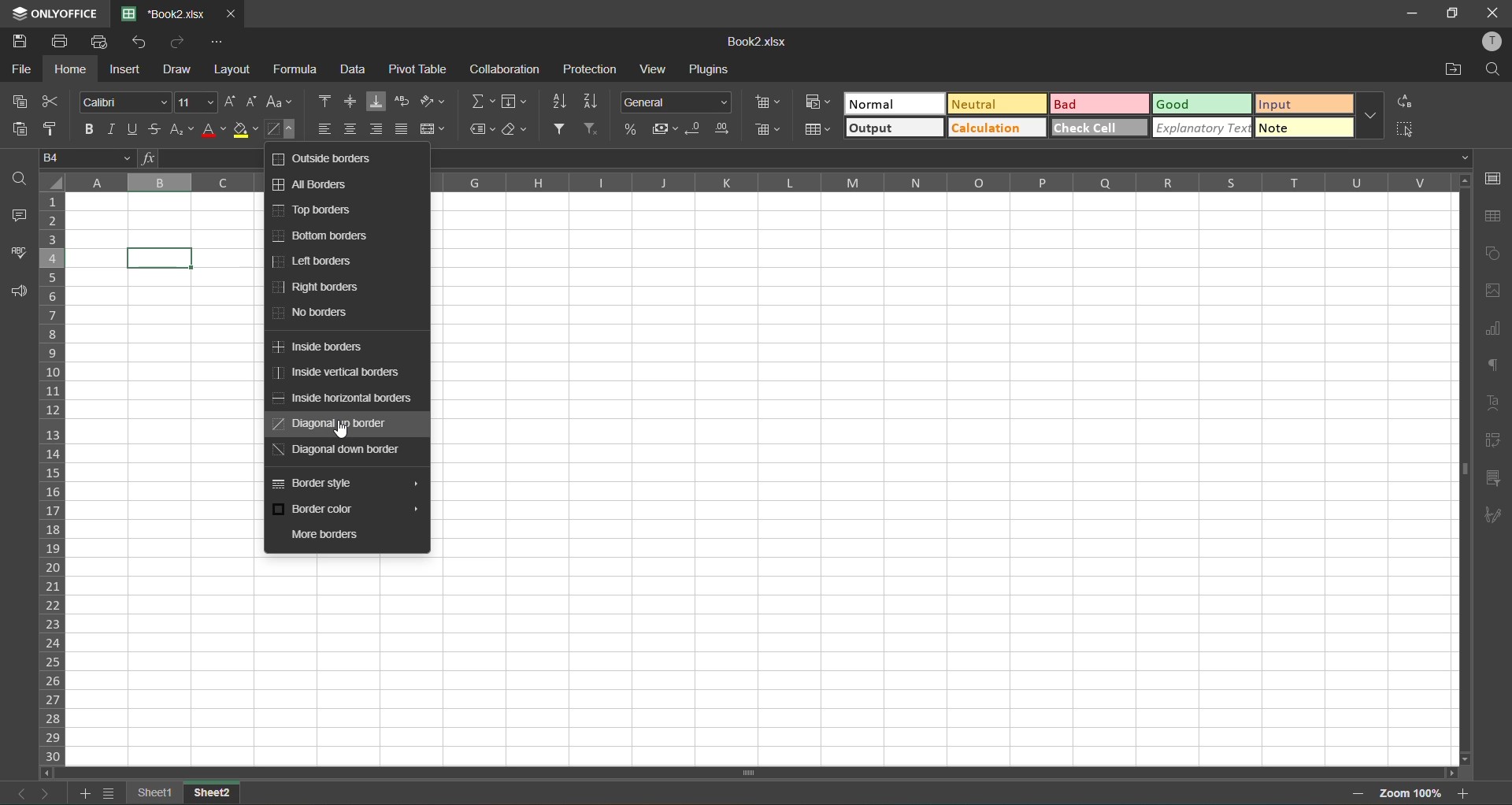 The width and height of the screenshot is (1512, 805). Describe the element at coordinates (1492, 71) in the screenshot. I see `find` at that location.